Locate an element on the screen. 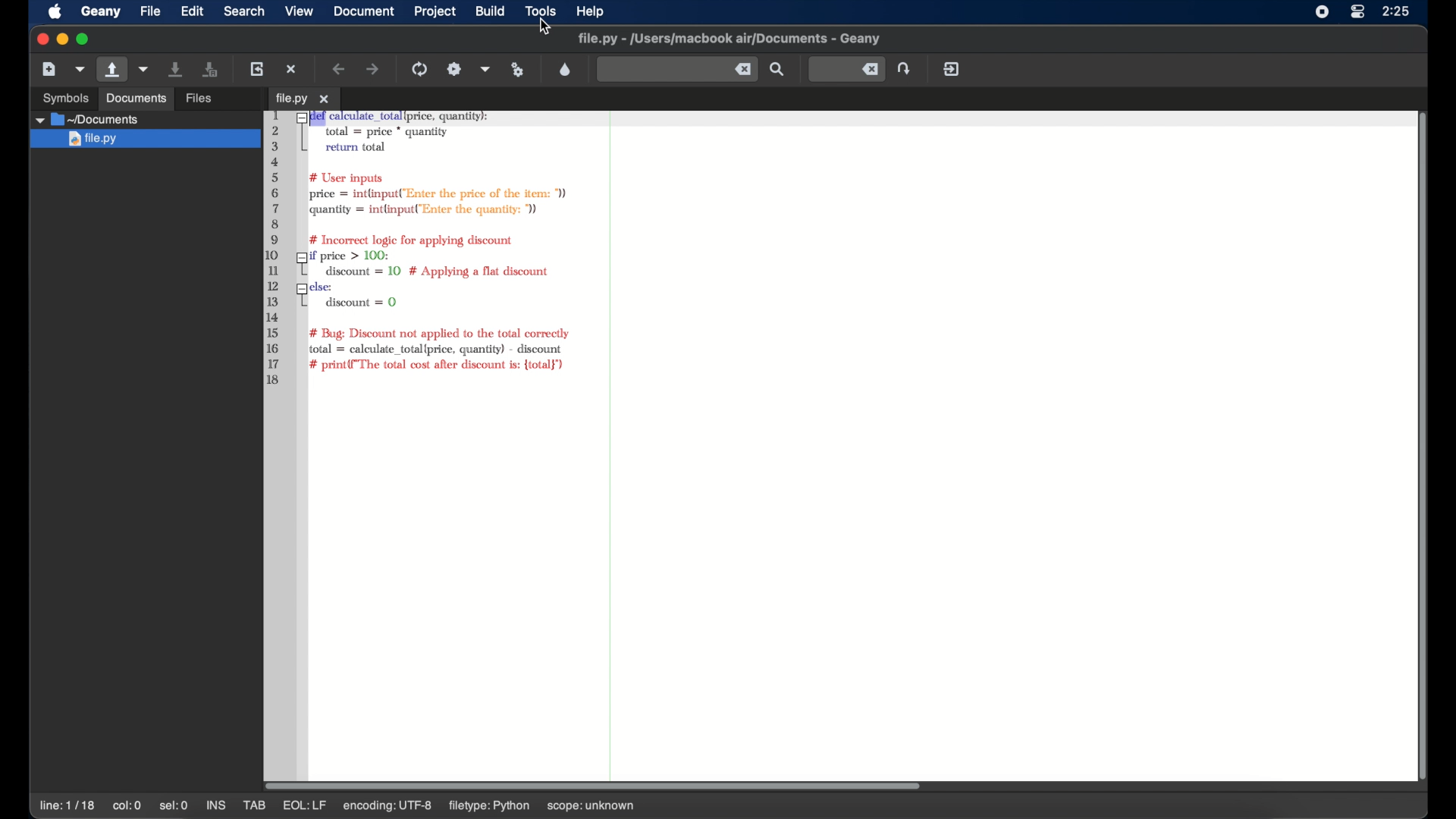 This screenshot has width=1456, height=819. line: 17/18 is located at coordinates (69, 806).